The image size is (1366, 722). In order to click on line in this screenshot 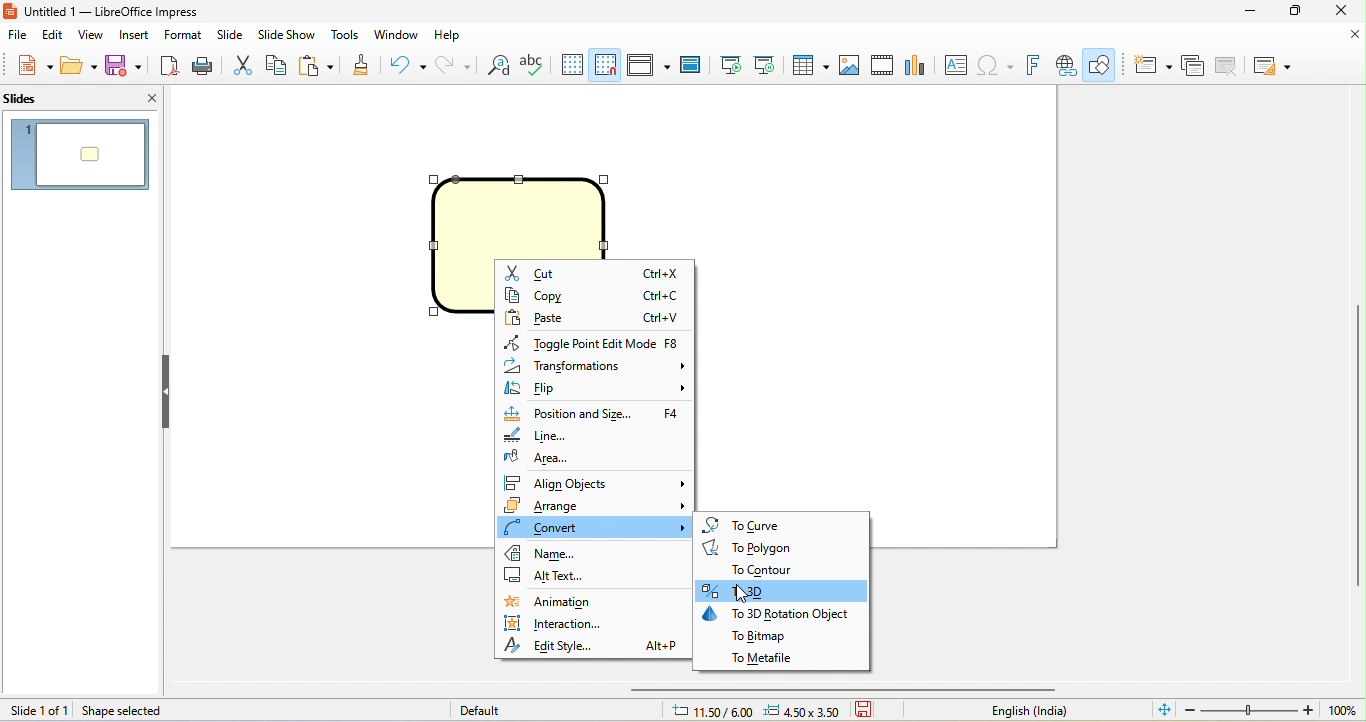, I will do `click(537, 436)`.